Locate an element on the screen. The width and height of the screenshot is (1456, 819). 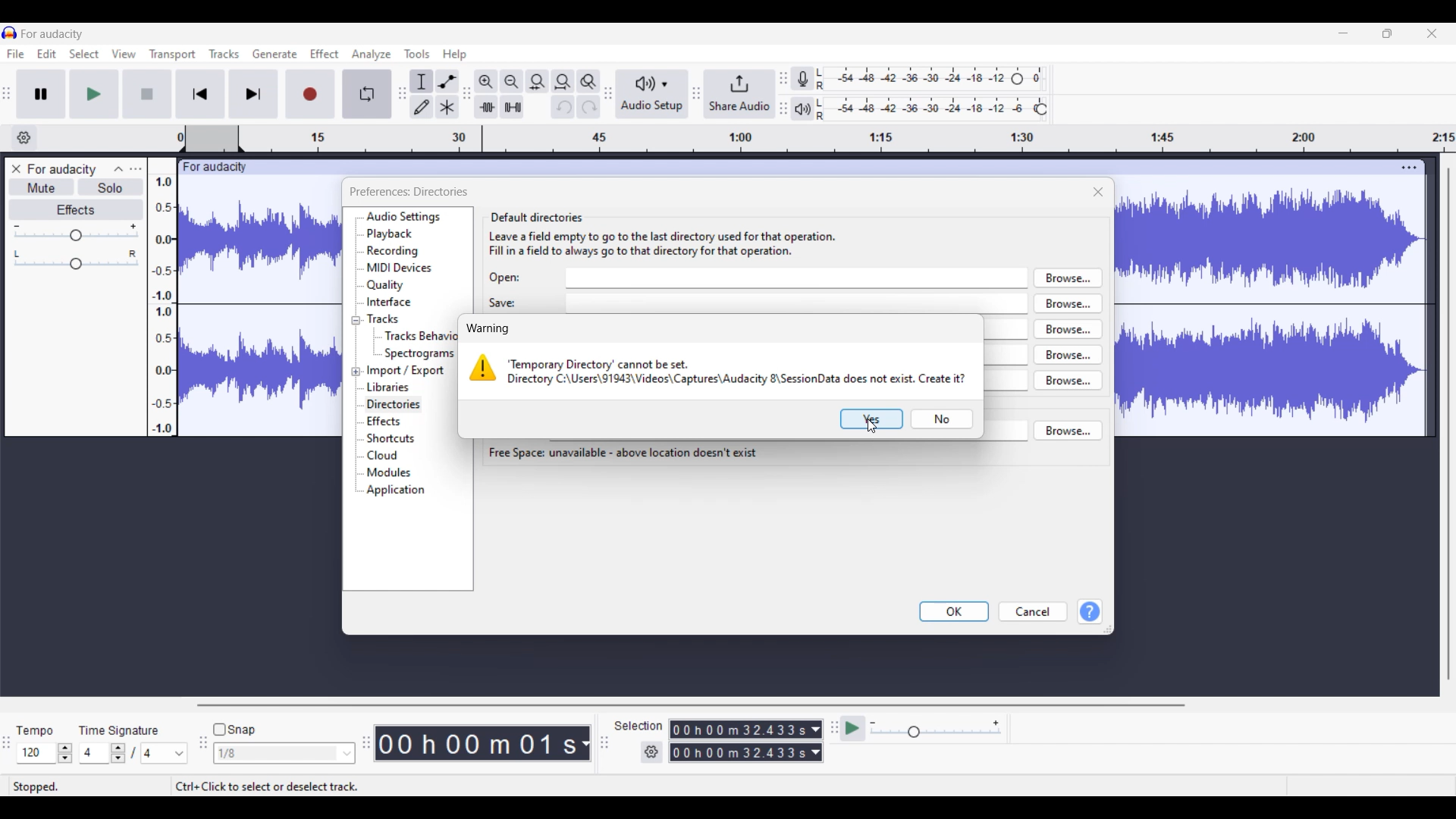
Silence audio selection is located at coordinates (512, 107).